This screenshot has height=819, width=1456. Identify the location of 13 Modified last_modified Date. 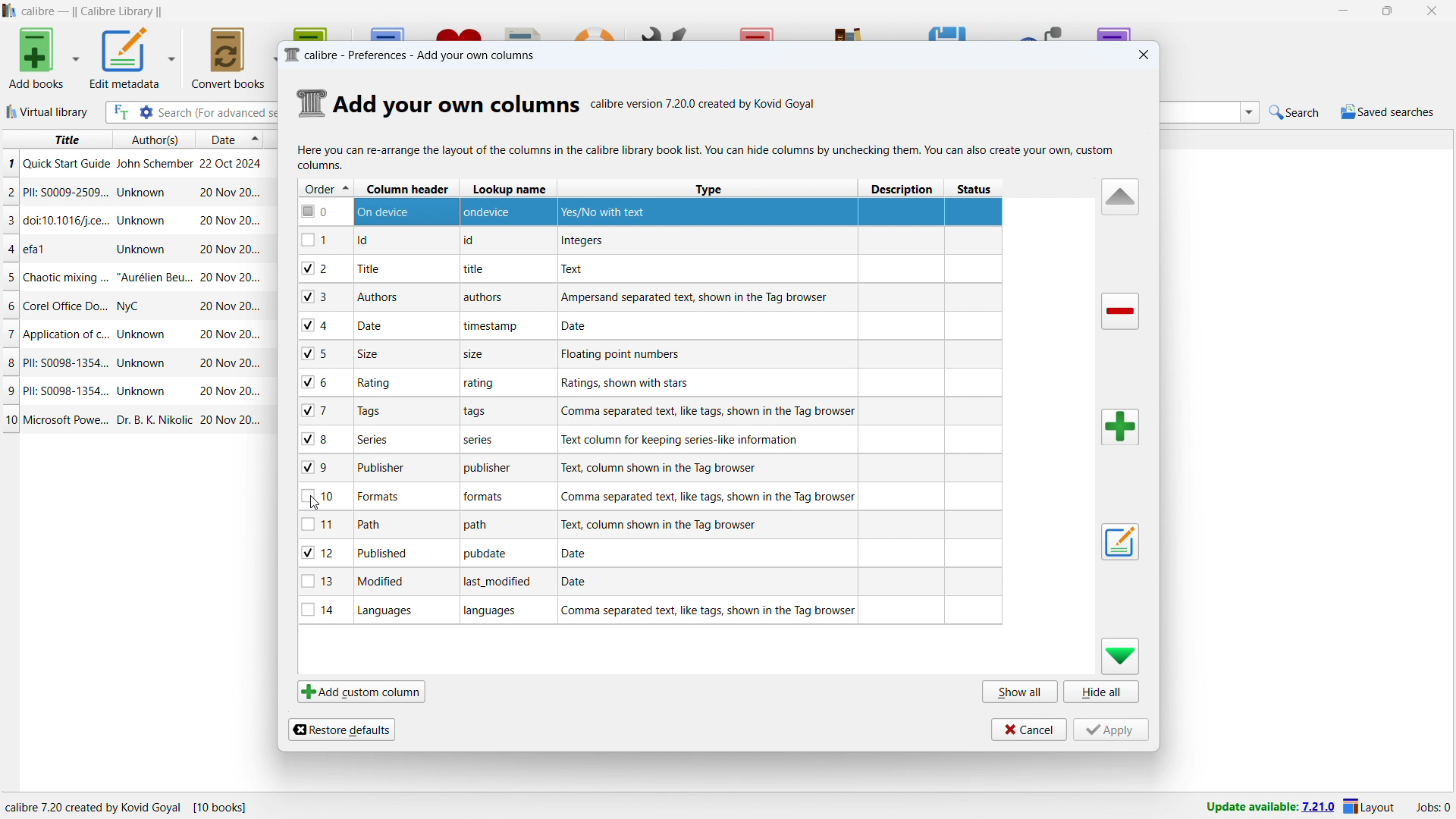
(647, 585).